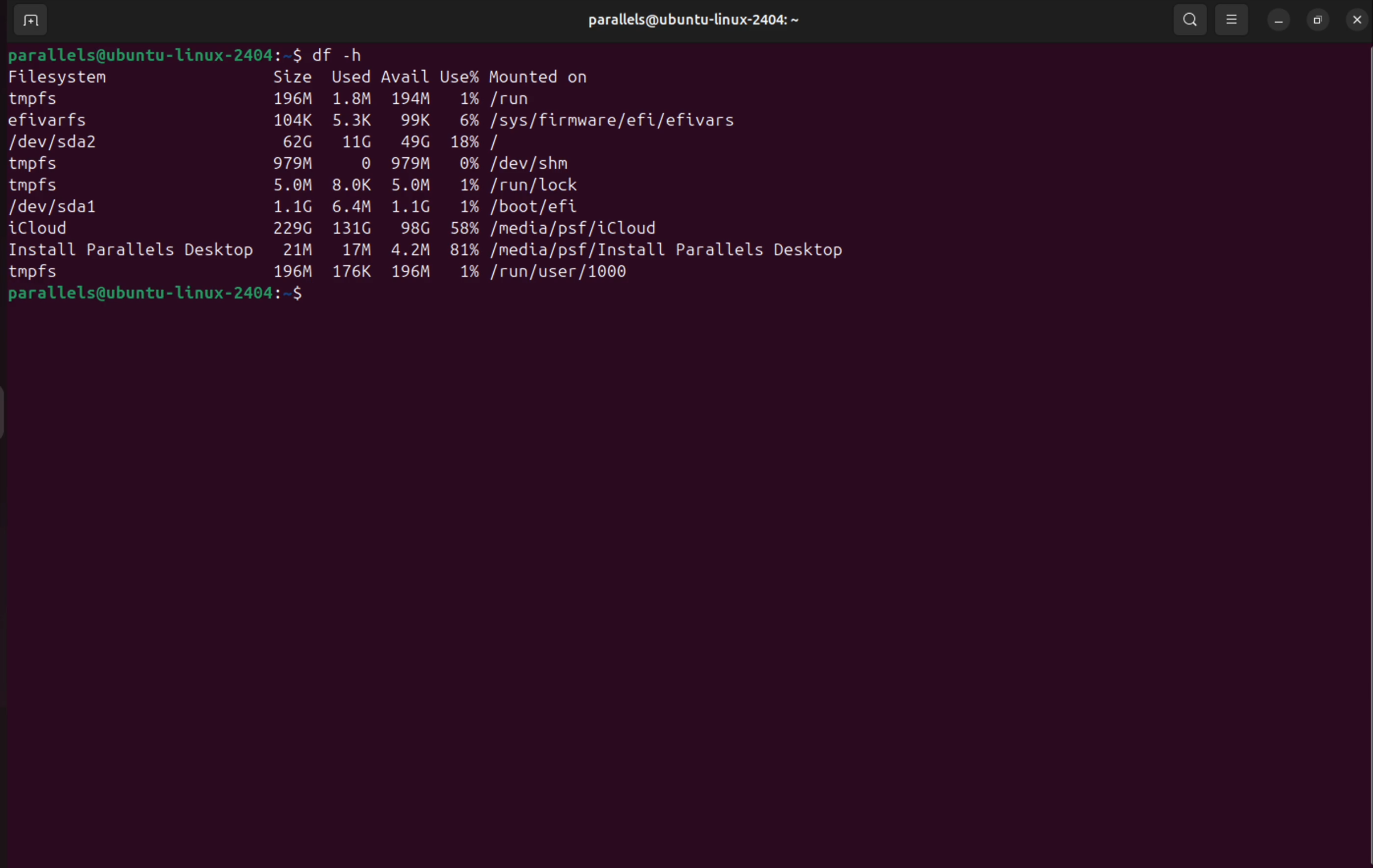 This screenshot has width=1373, height=868. I want to click on /media/psf/ install parallels, so click(672, 251).